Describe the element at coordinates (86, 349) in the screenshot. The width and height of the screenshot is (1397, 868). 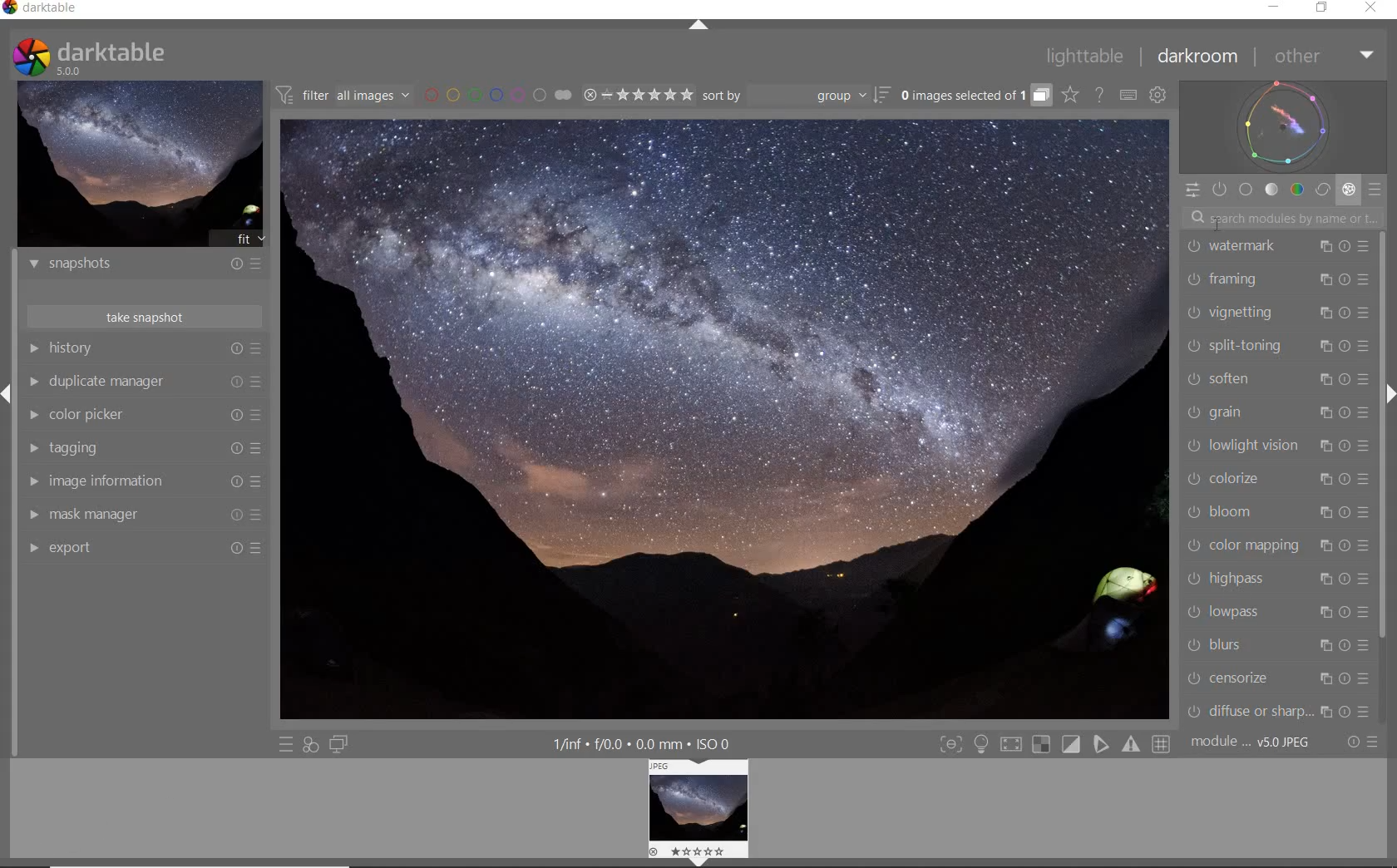
I see `History` at that location.